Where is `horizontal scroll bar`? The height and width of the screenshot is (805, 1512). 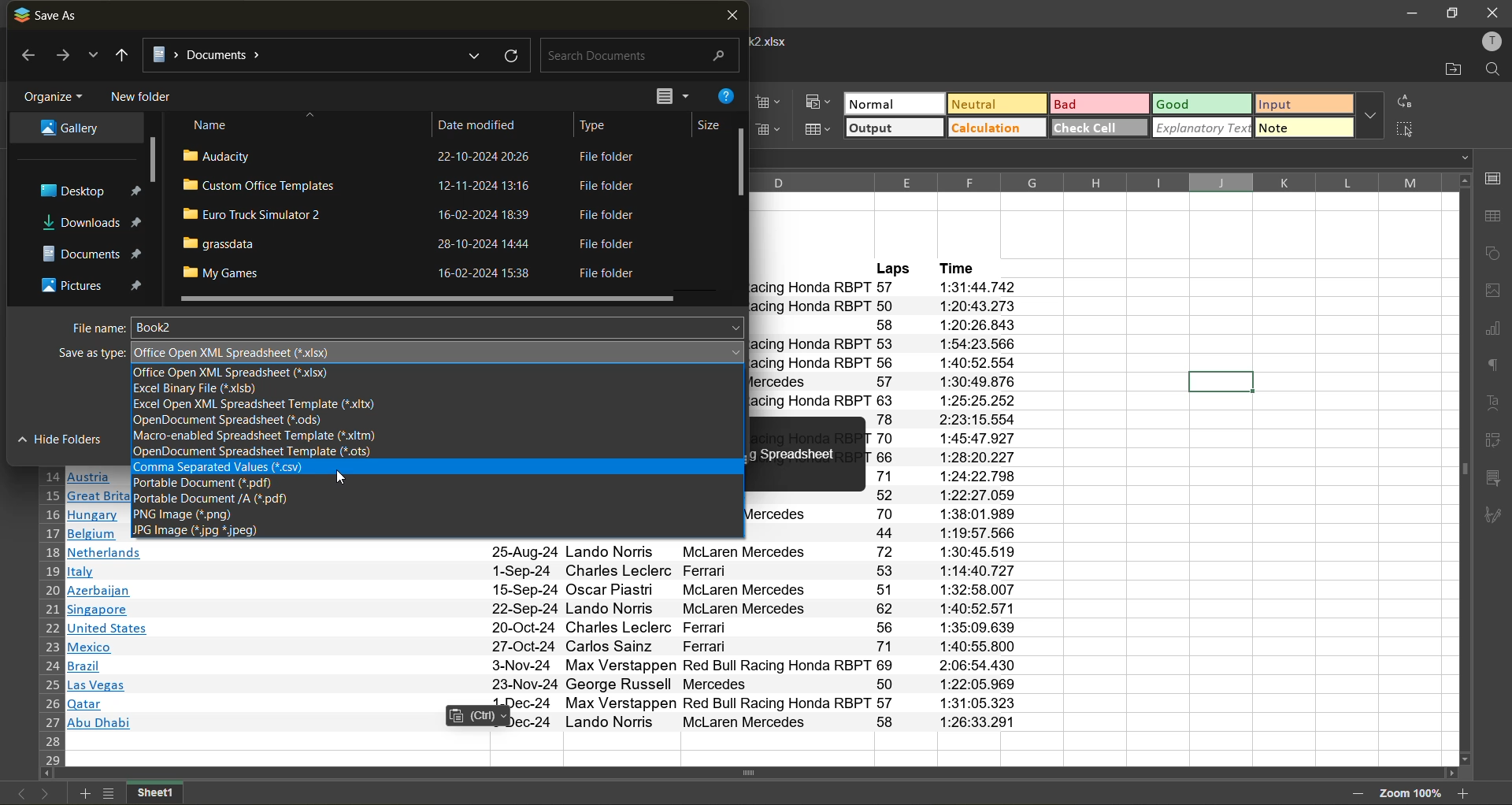 horizontal scroll bar is located at coordinates (427, 299).